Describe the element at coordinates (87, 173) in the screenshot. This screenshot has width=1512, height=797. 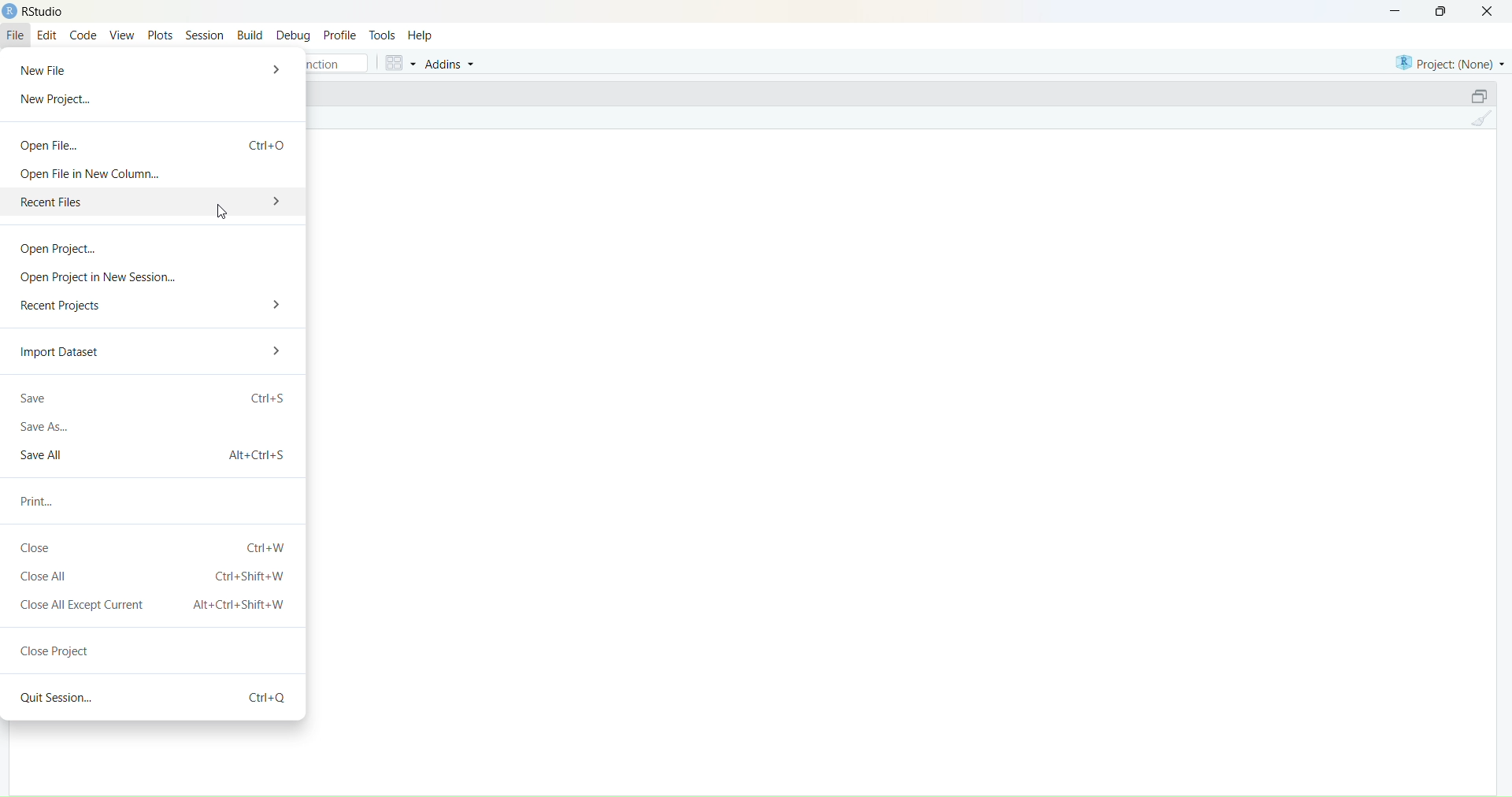
I see `Open File in New Column...` at that location.